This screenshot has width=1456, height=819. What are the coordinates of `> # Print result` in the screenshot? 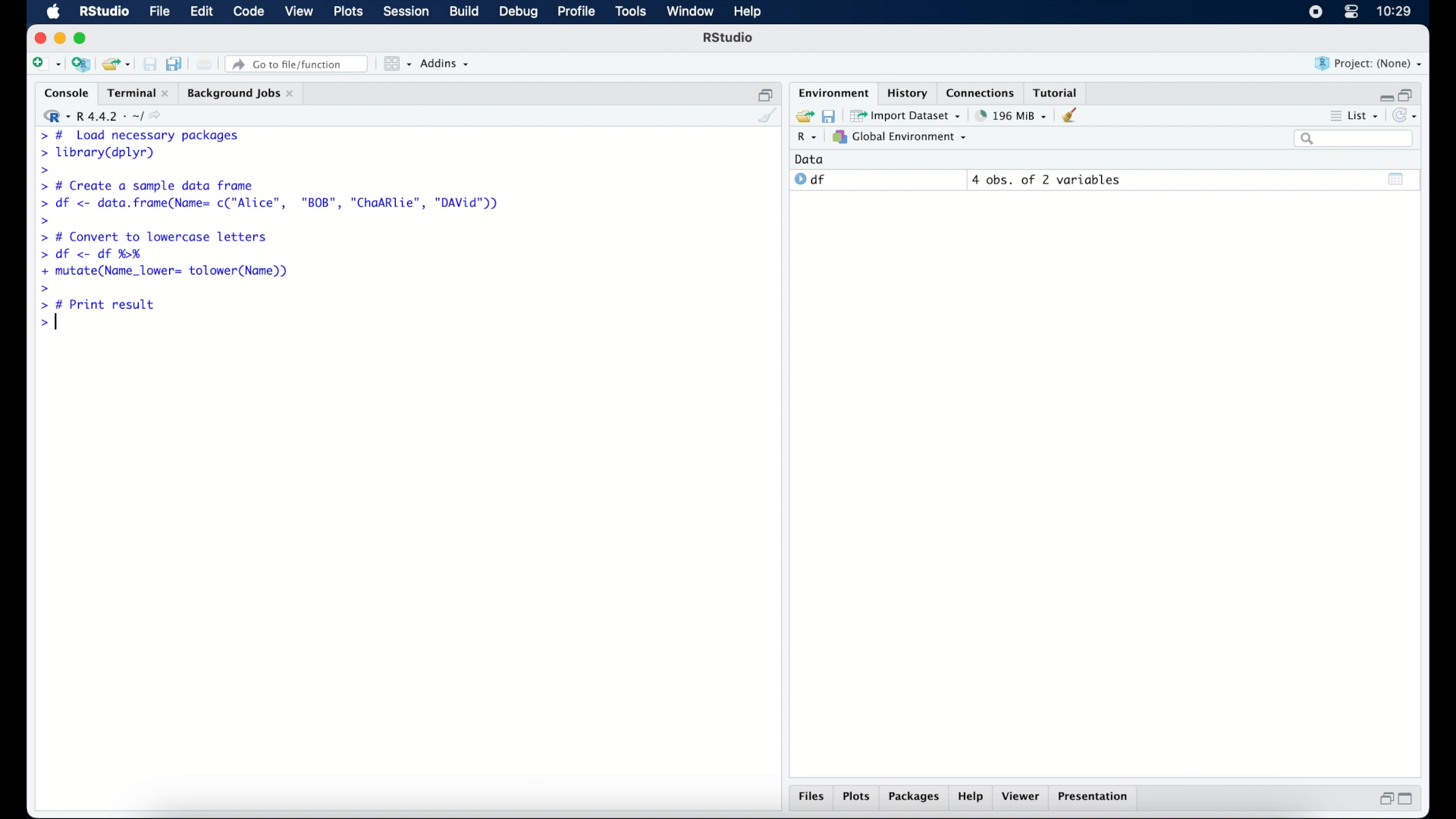 It's located at (101, 305).